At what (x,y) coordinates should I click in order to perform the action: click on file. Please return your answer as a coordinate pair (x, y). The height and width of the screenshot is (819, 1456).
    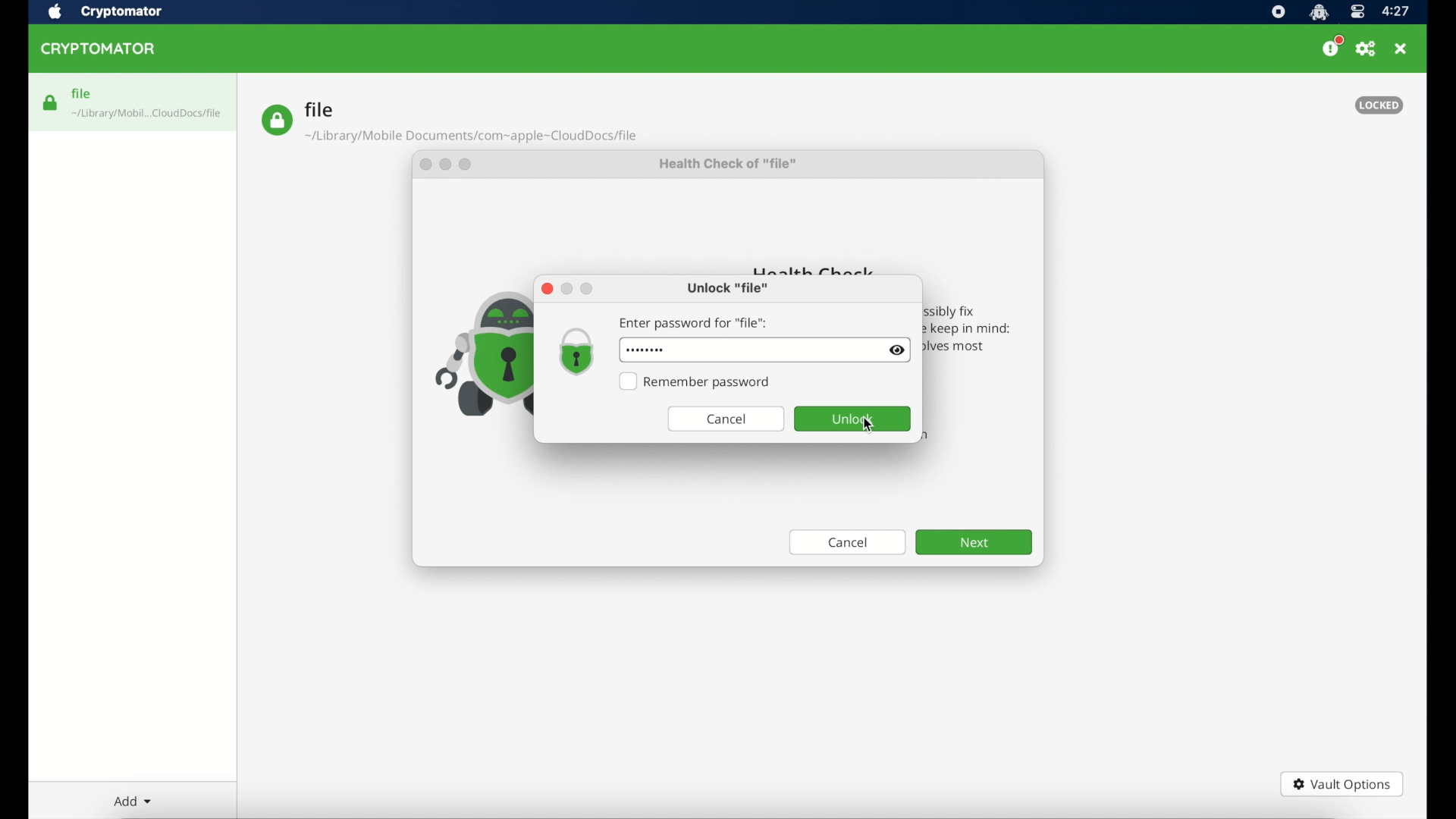
    Looking at the image, I should click on (449, 122).